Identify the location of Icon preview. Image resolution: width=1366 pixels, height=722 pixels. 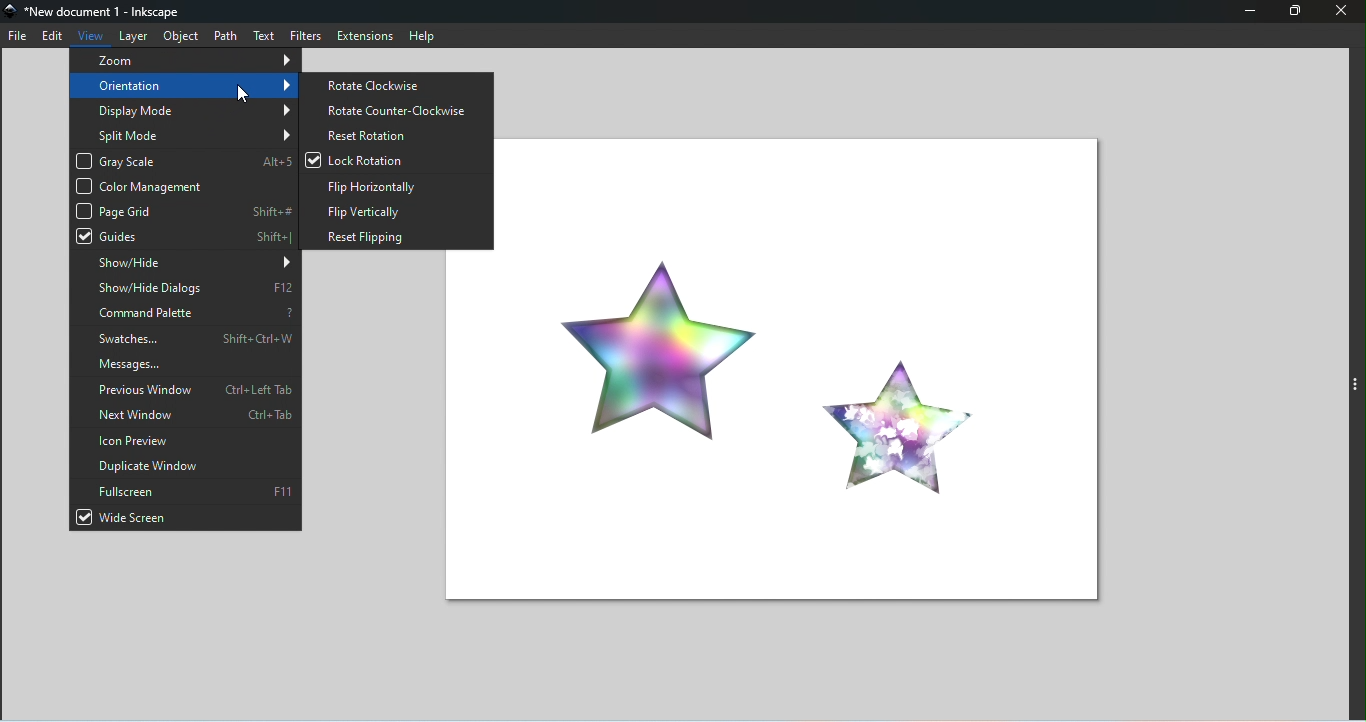
(183, 442).